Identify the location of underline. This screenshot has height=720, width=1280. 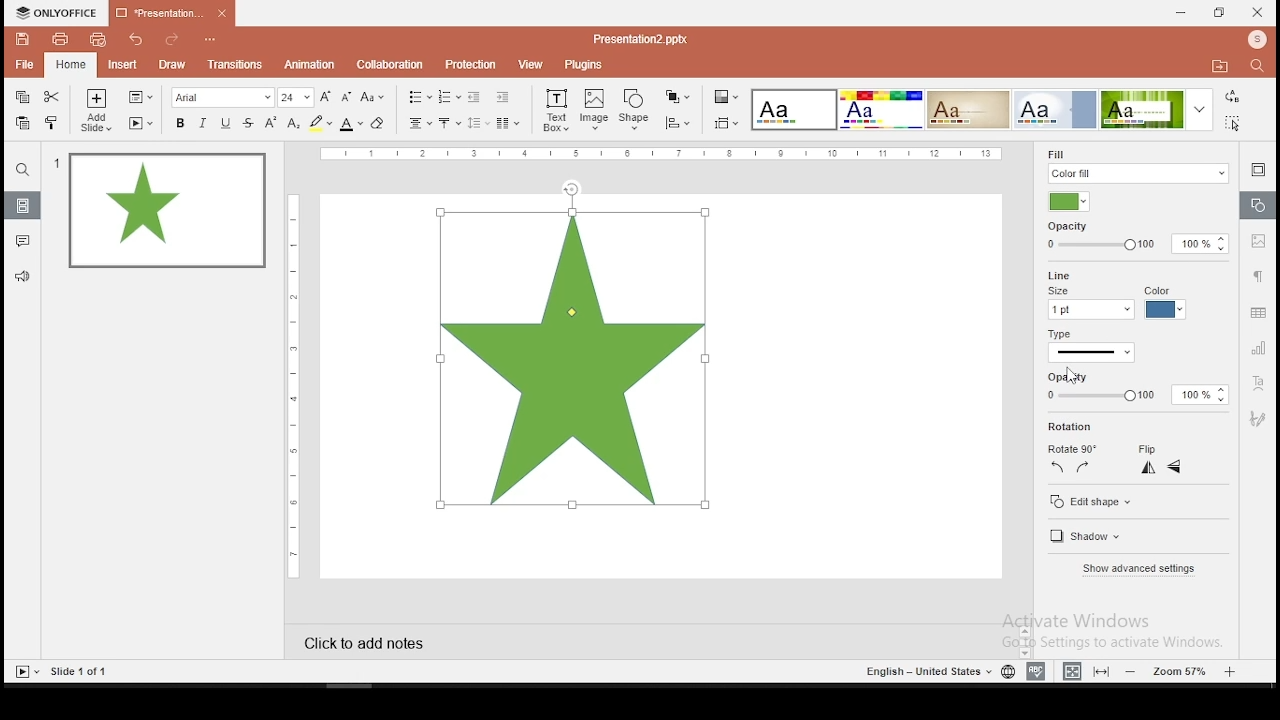
(226, 124).